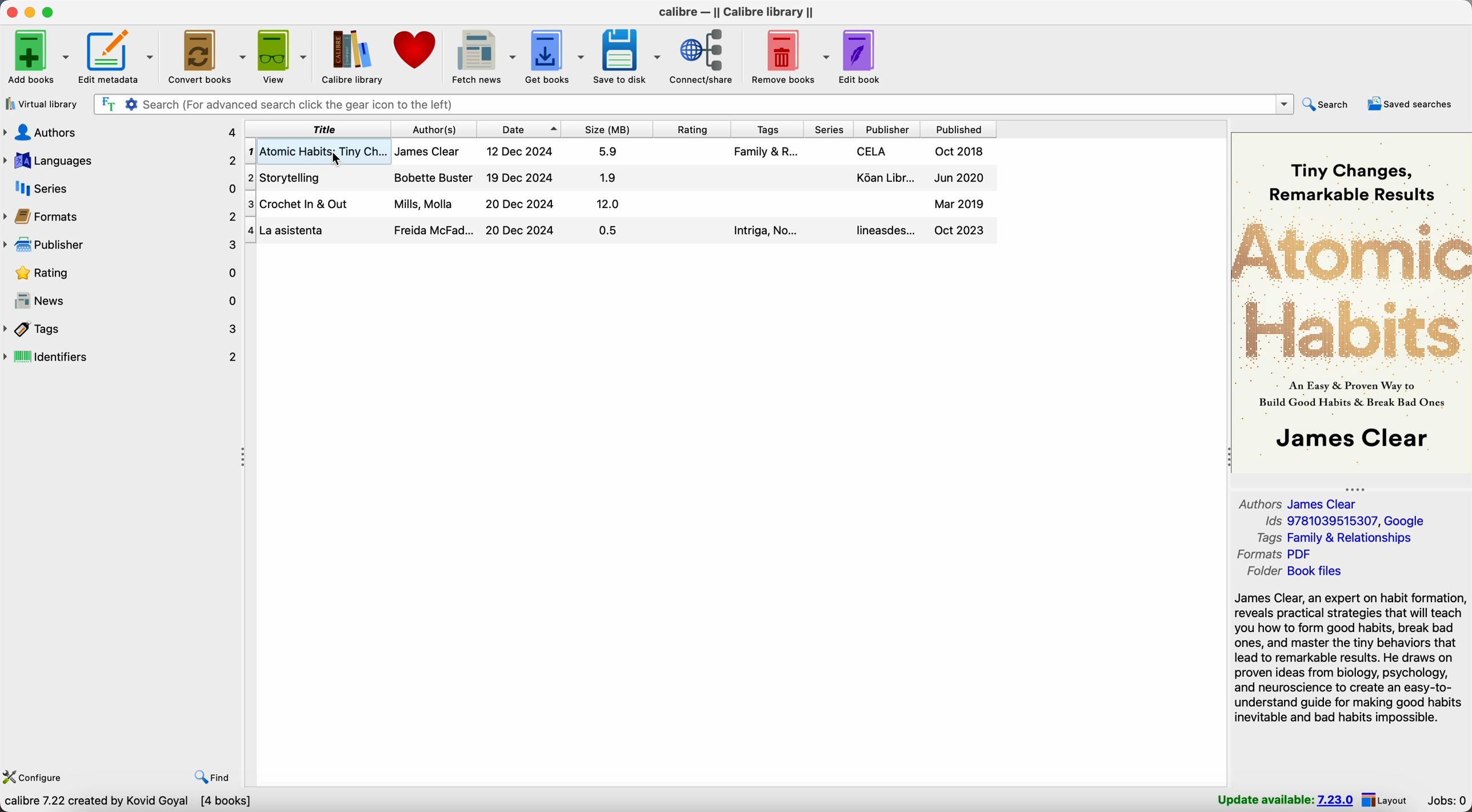 This screenshot has width=1472, height=812. Describe the element at coordinates (485, 55) in the screenshot. I see `fetch news` at that location.